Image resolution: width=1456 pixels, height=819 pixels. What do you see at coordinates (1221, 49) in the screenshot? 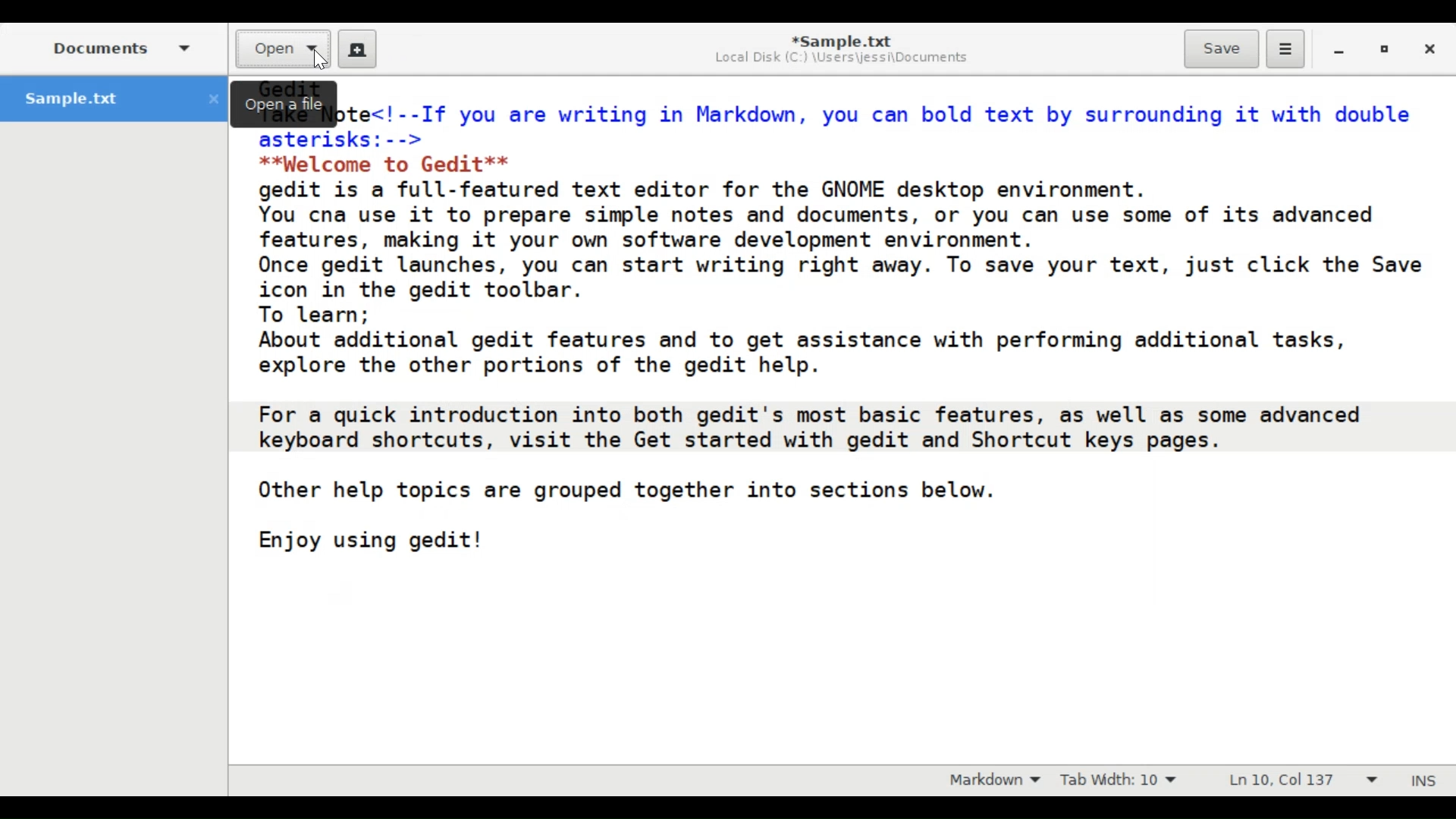
I see `Save` at bounding box center [1221, 49].